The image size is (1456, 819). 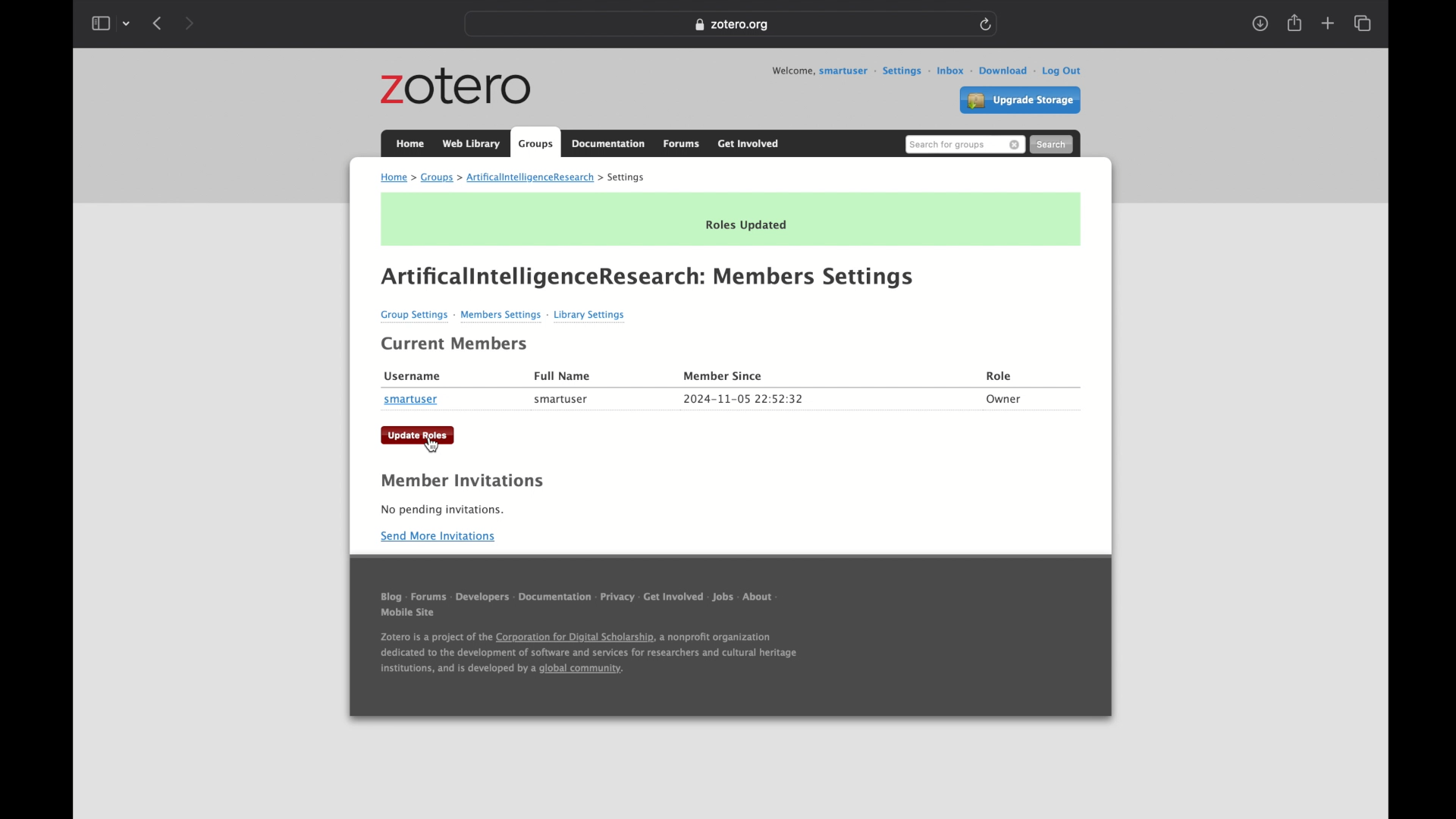 I want to click on settings, so click(x=897, y=71).